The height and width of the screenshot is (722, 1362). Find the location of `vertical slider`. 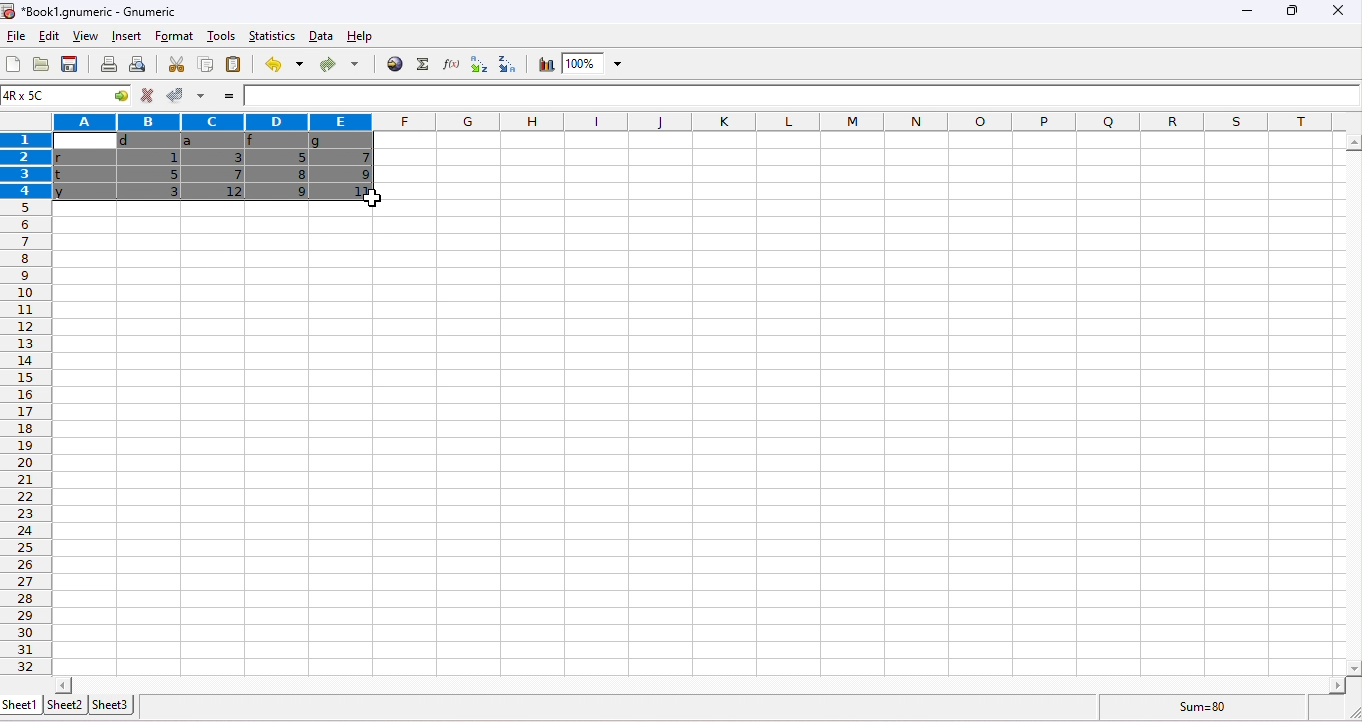

vertical slider is located at coordinates (1353, 403).